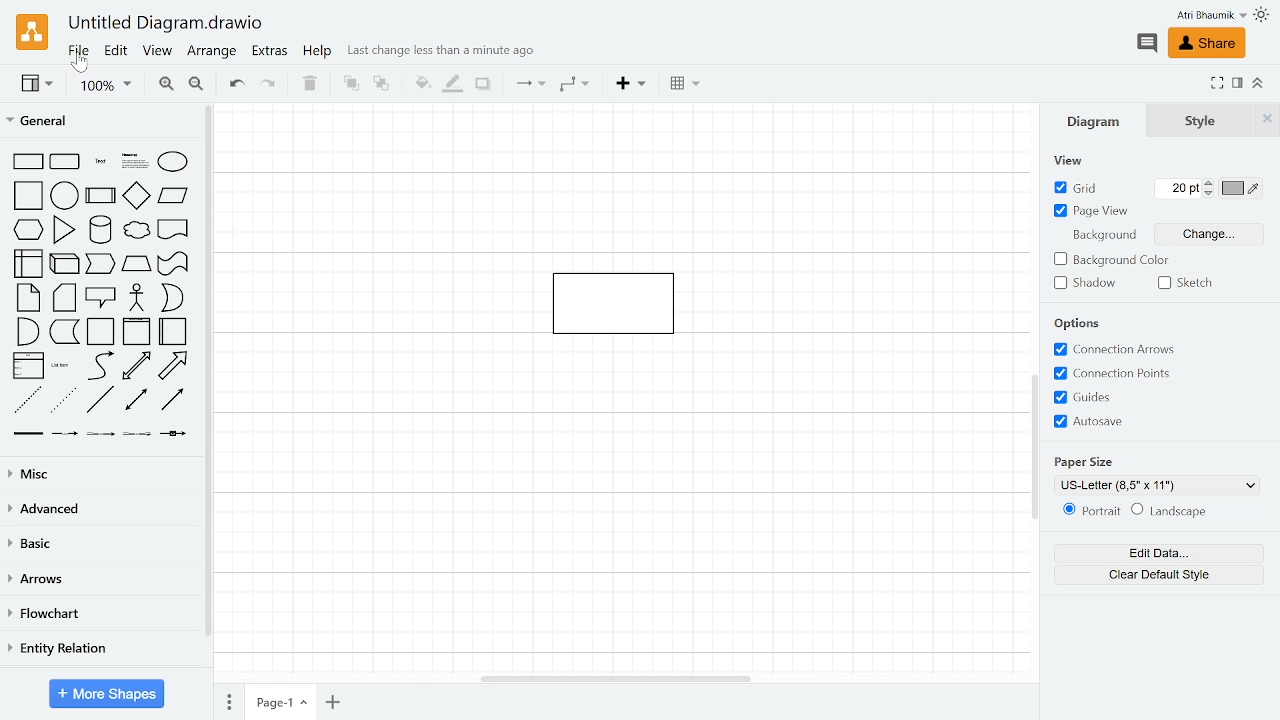 The width and height of the screenshot is (1280, 720). I want to click on Connection arrows, so click(1122, 350).